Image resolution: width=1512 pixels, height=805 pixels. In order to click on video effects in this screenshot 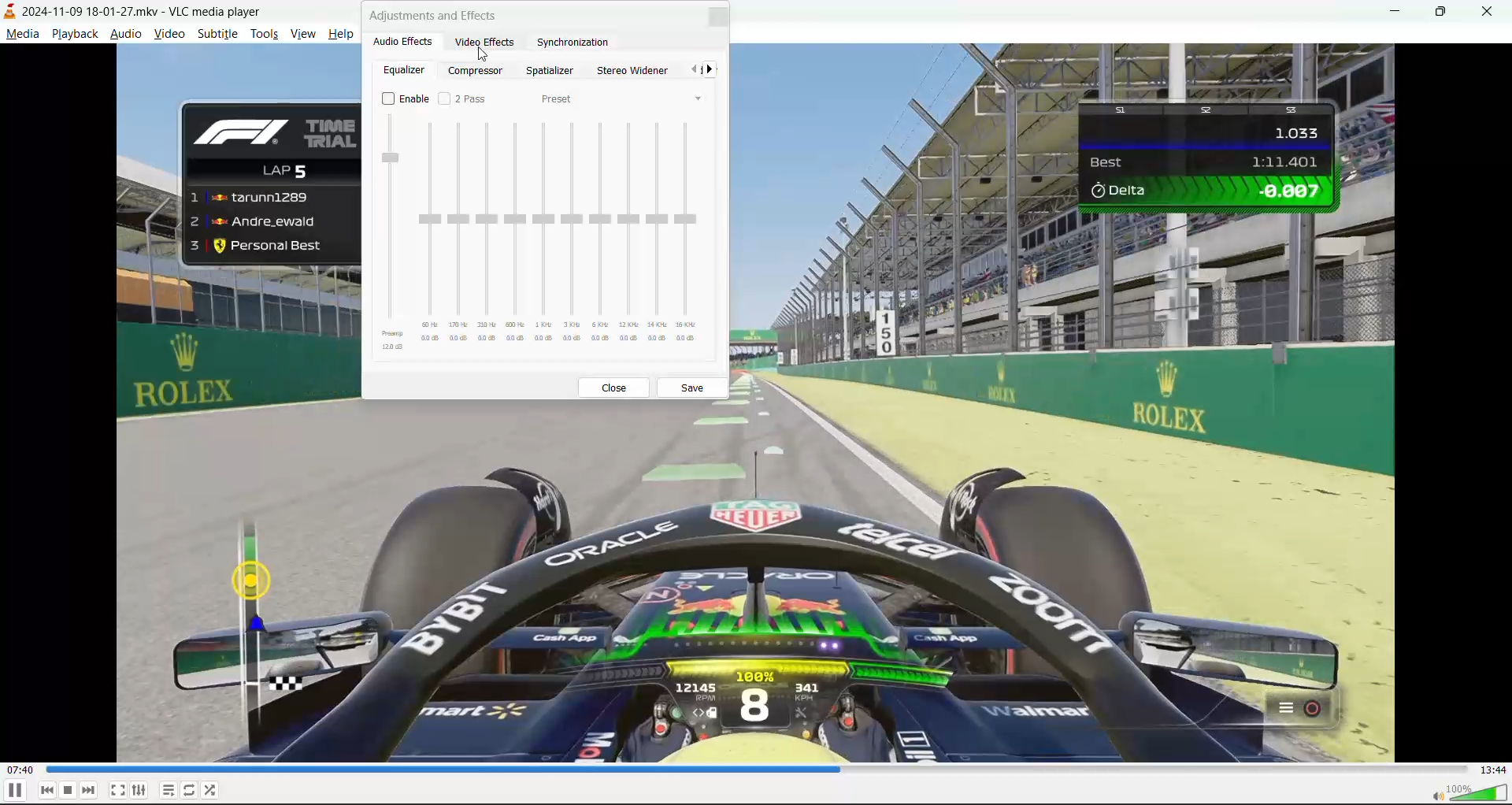, I will do `click(489, 42)`.